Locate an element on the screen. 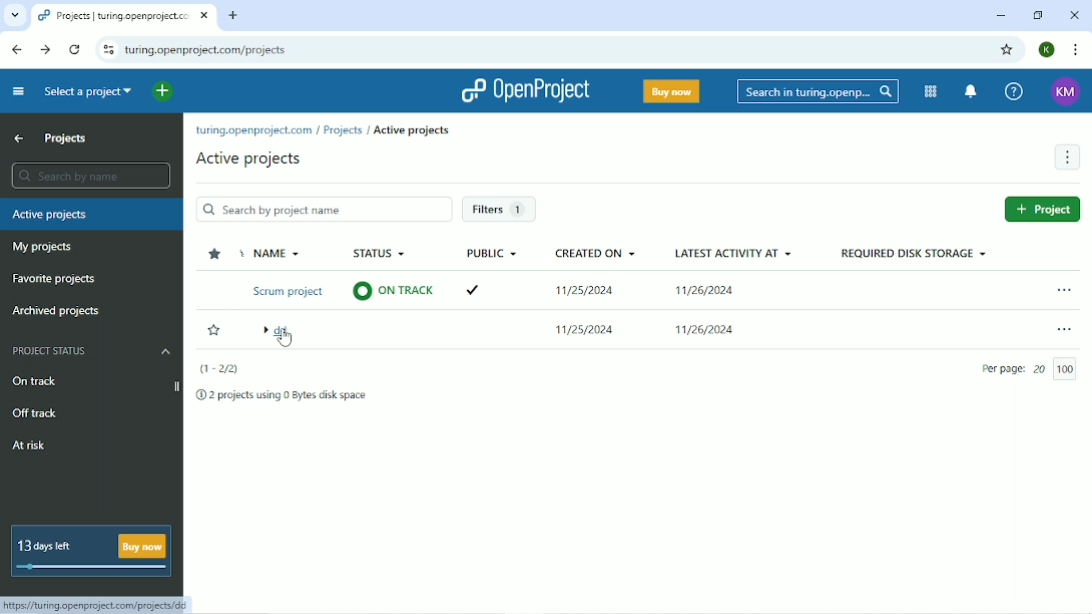 This screenshot has width=1092, height=614. Forward is located at coordinates (45, 49).